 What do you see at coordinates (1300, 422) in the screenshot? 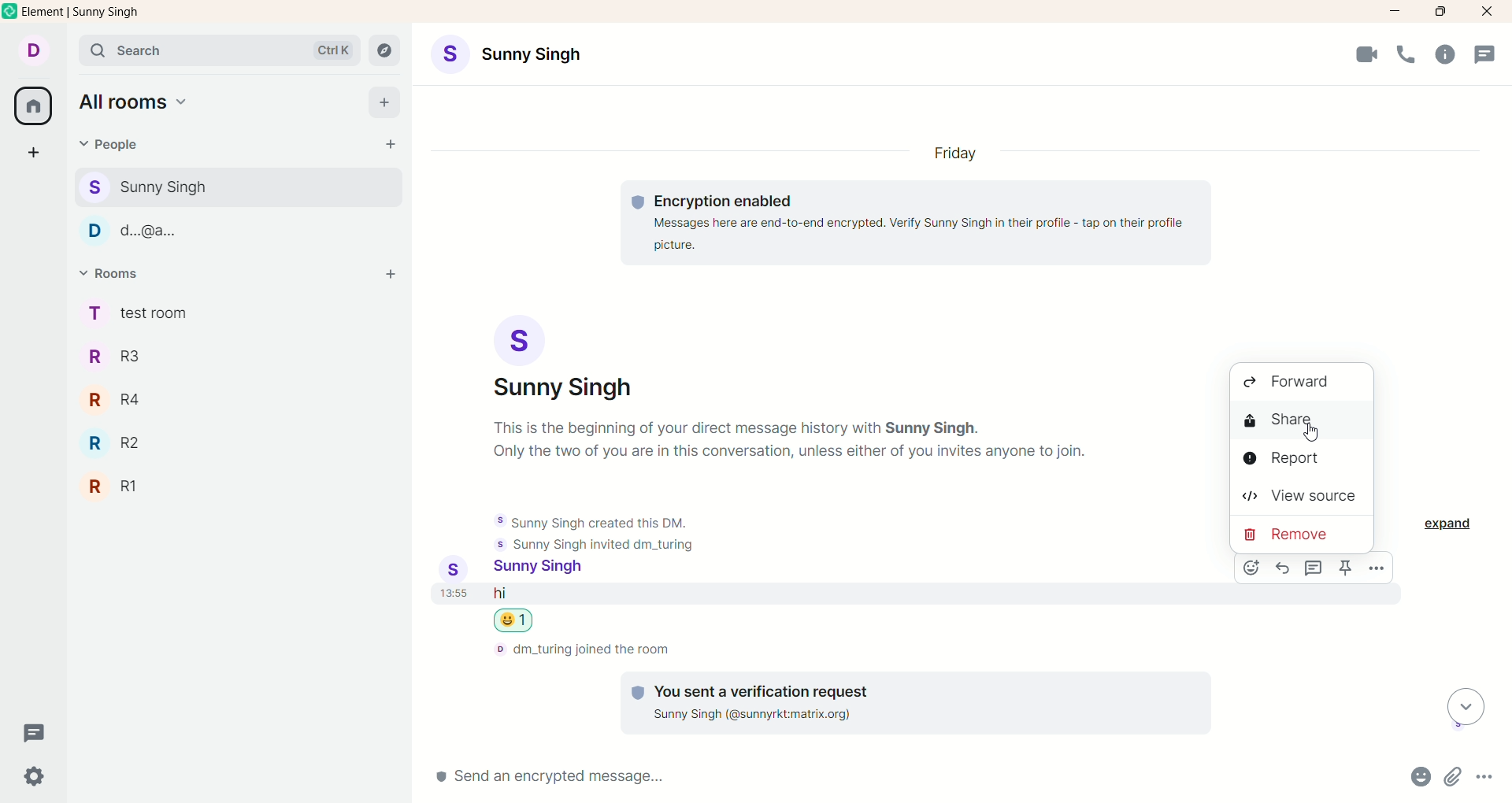
I see `share` at bounding box center [1300, 422].